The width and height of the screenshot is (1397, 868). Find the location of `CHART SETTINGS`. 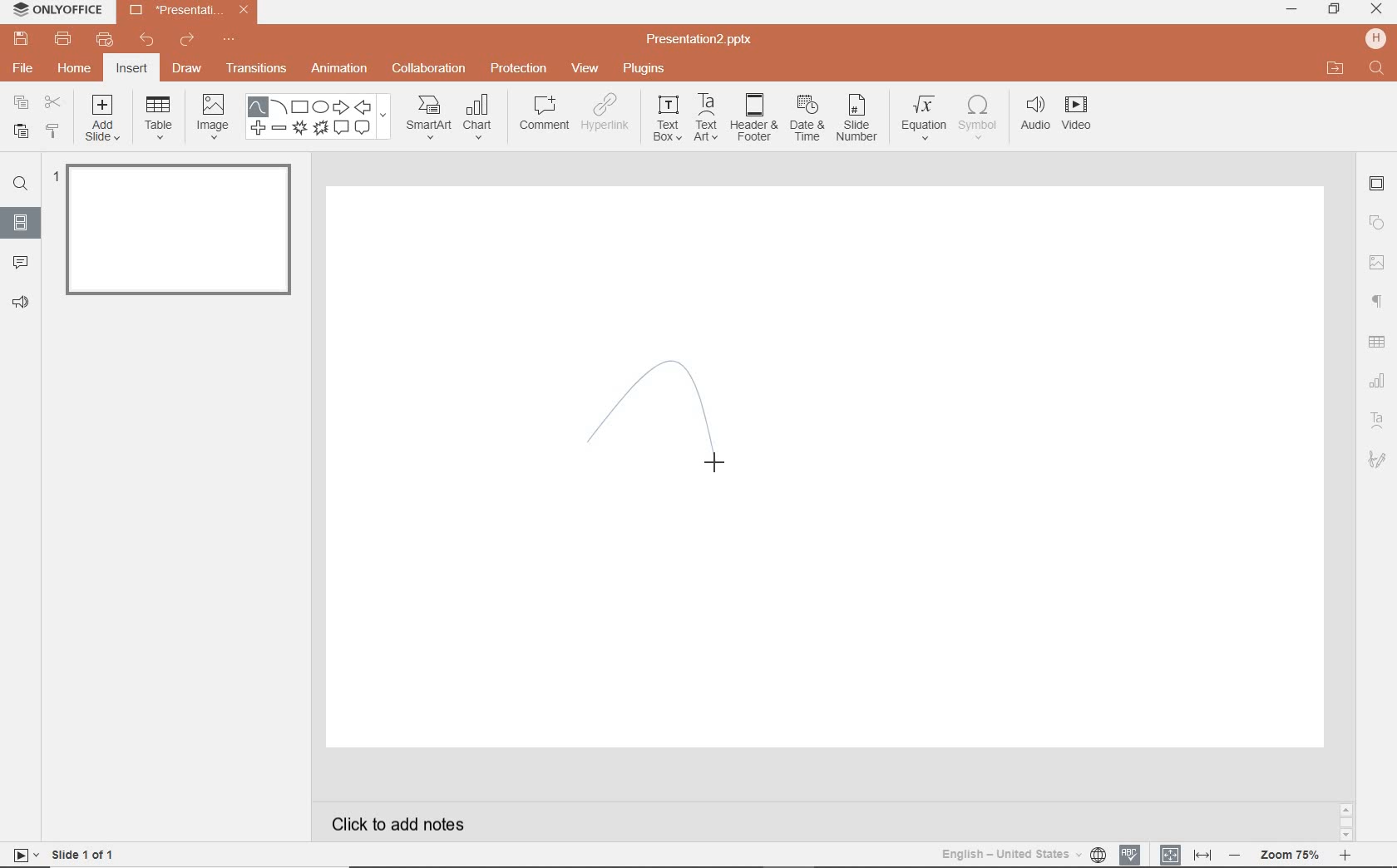

CHART SETTINGS is located at coordinates (1380, 379).